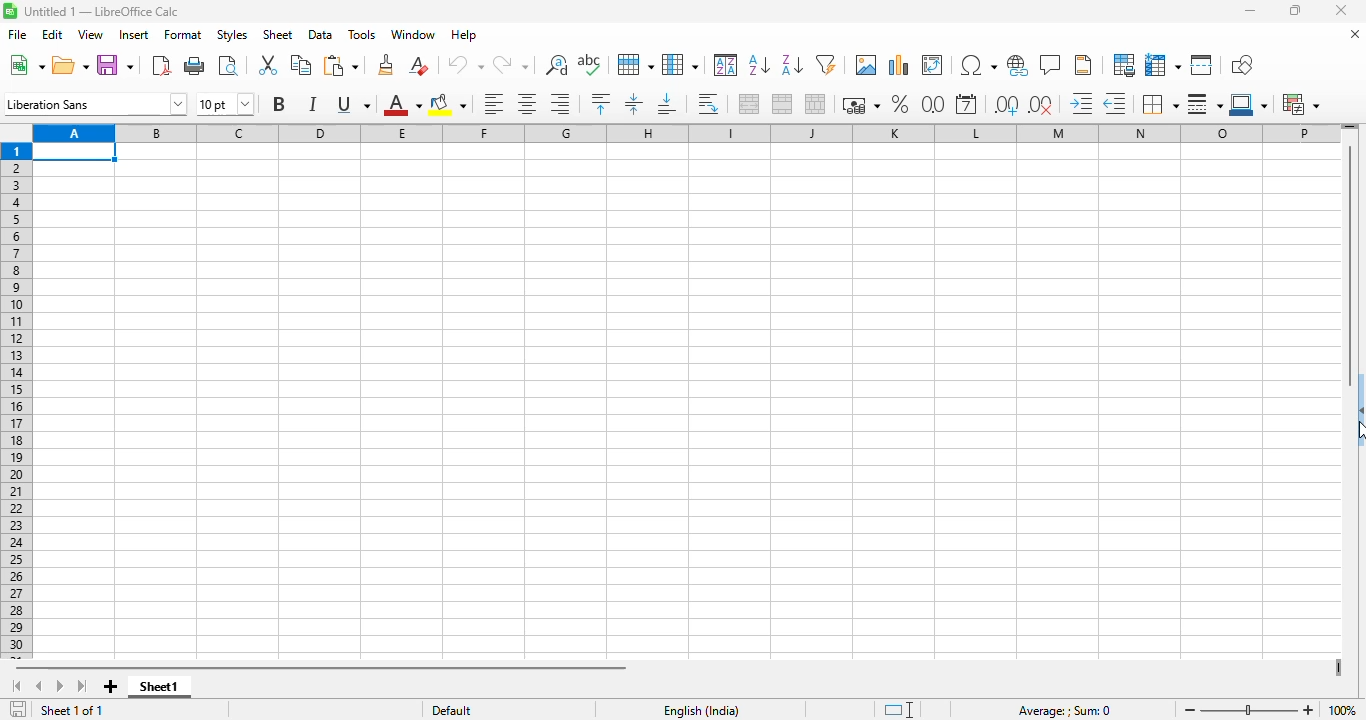  Describe the element at coordinates (1124, 65) in the screenshot. I see `define print area` at that location.